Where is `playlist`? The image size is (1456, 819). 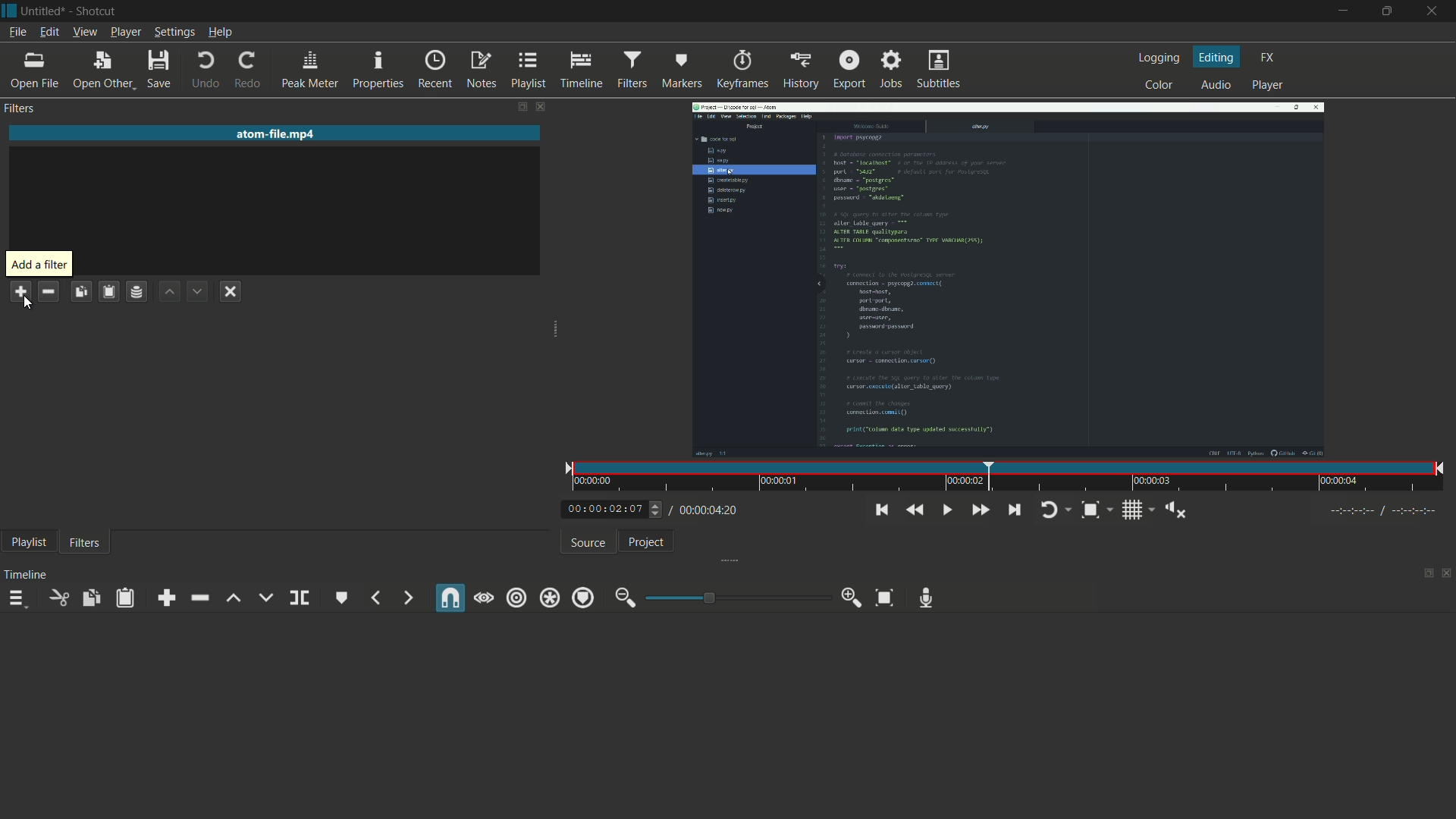
playlist is located at coordinates (529, 70).